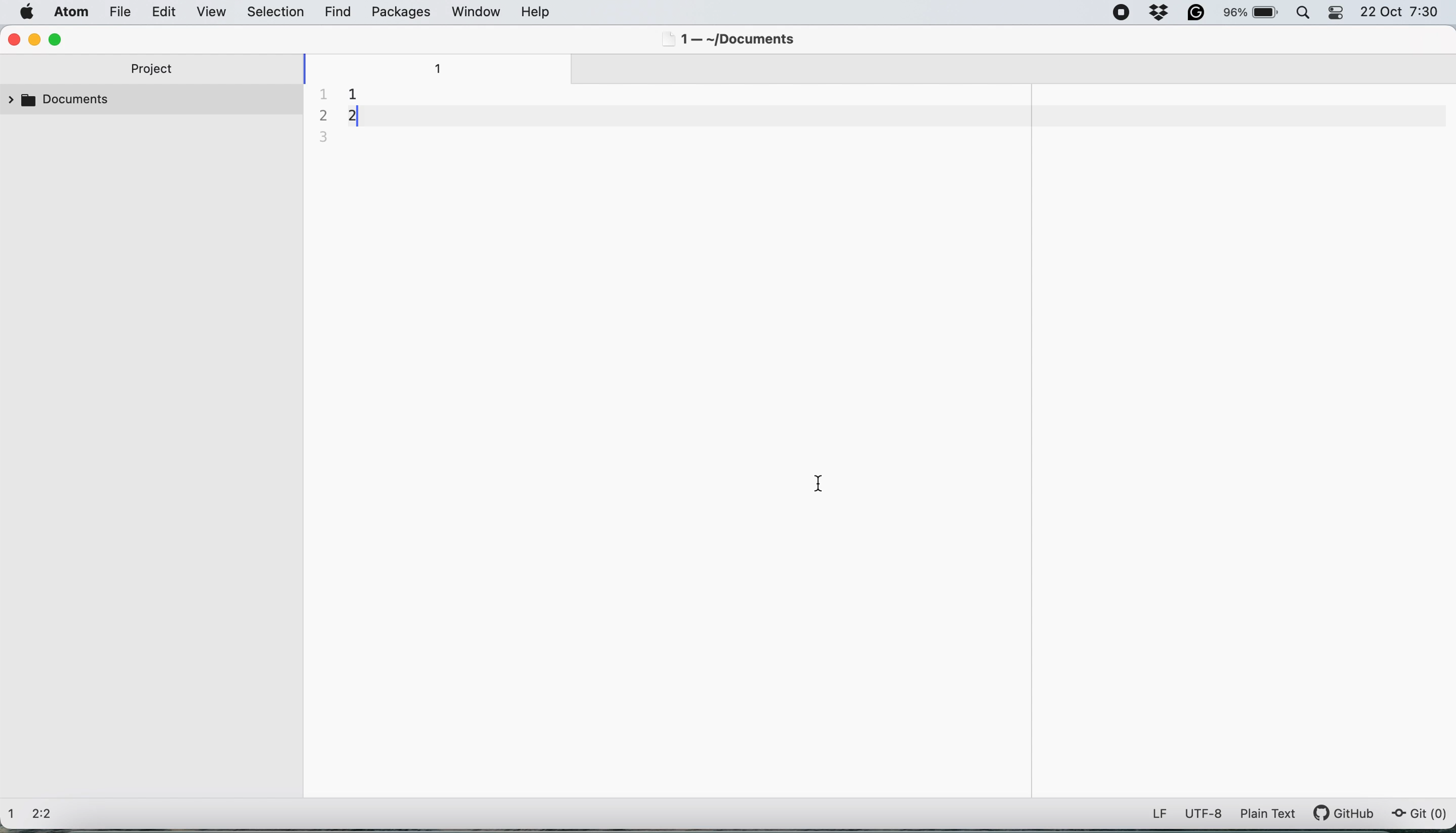 Image resolution: width=1456 pixels, height=833 pixels. Describe the element at coordinates (1339, 12) in the screenshot. I see `control center` at that location.